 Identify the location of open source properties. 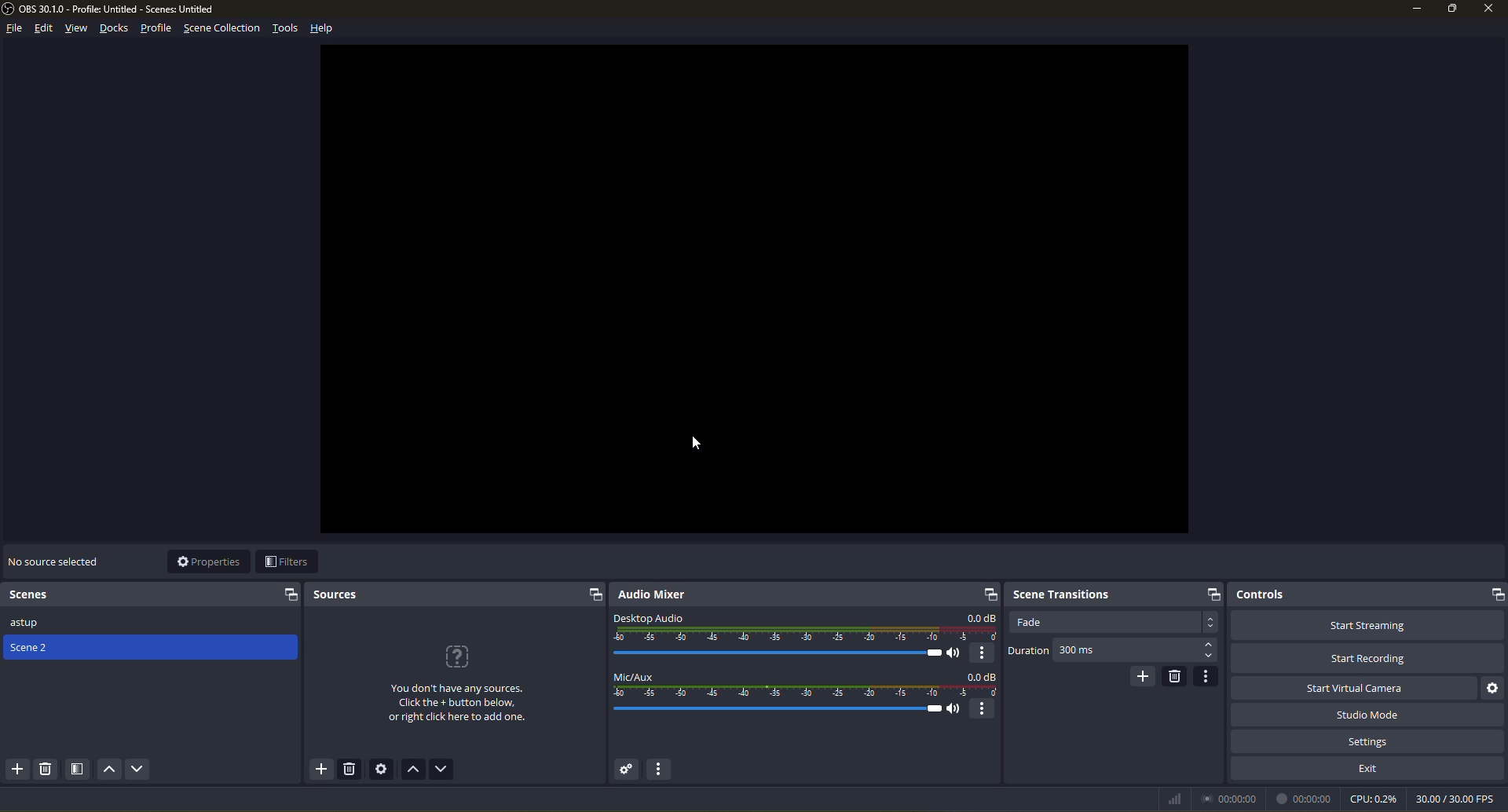
(382, 768).